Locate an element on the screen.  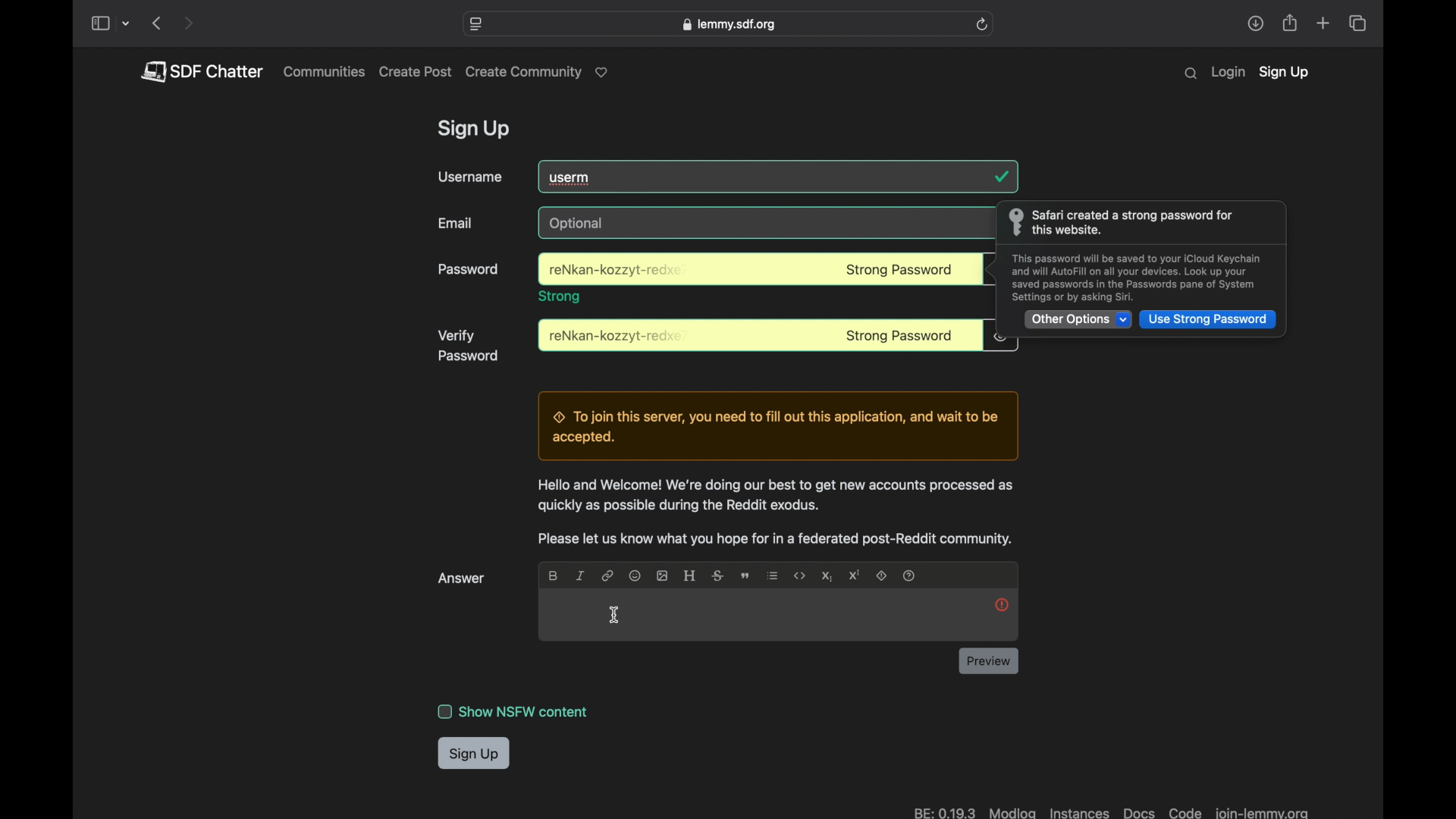
create post is located at coordinates (416, 72).